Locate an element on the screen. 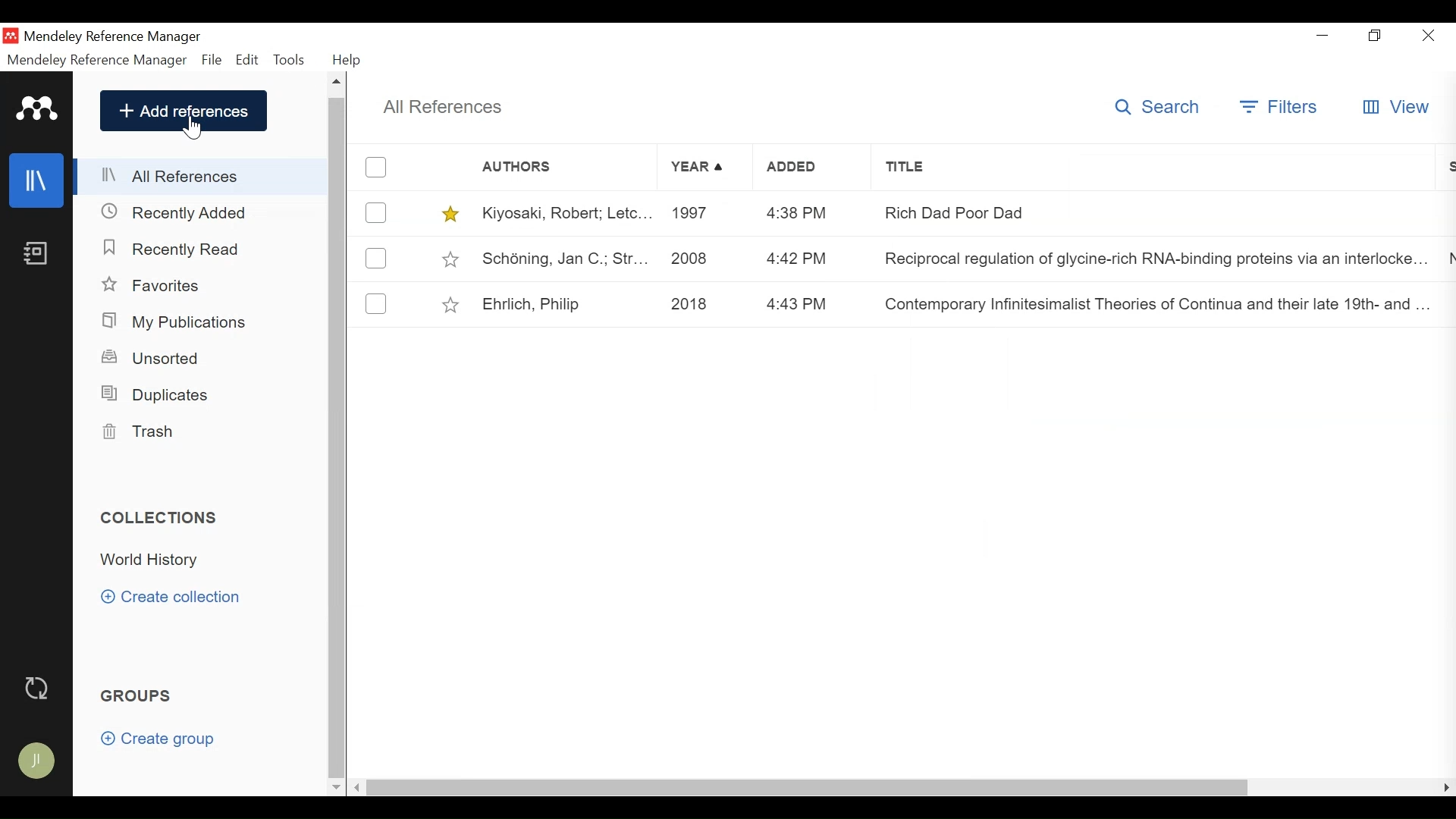 The height and width of the screenshot is (819, 1456). Ehrlich, Philip is located at coordinates (529, 302).